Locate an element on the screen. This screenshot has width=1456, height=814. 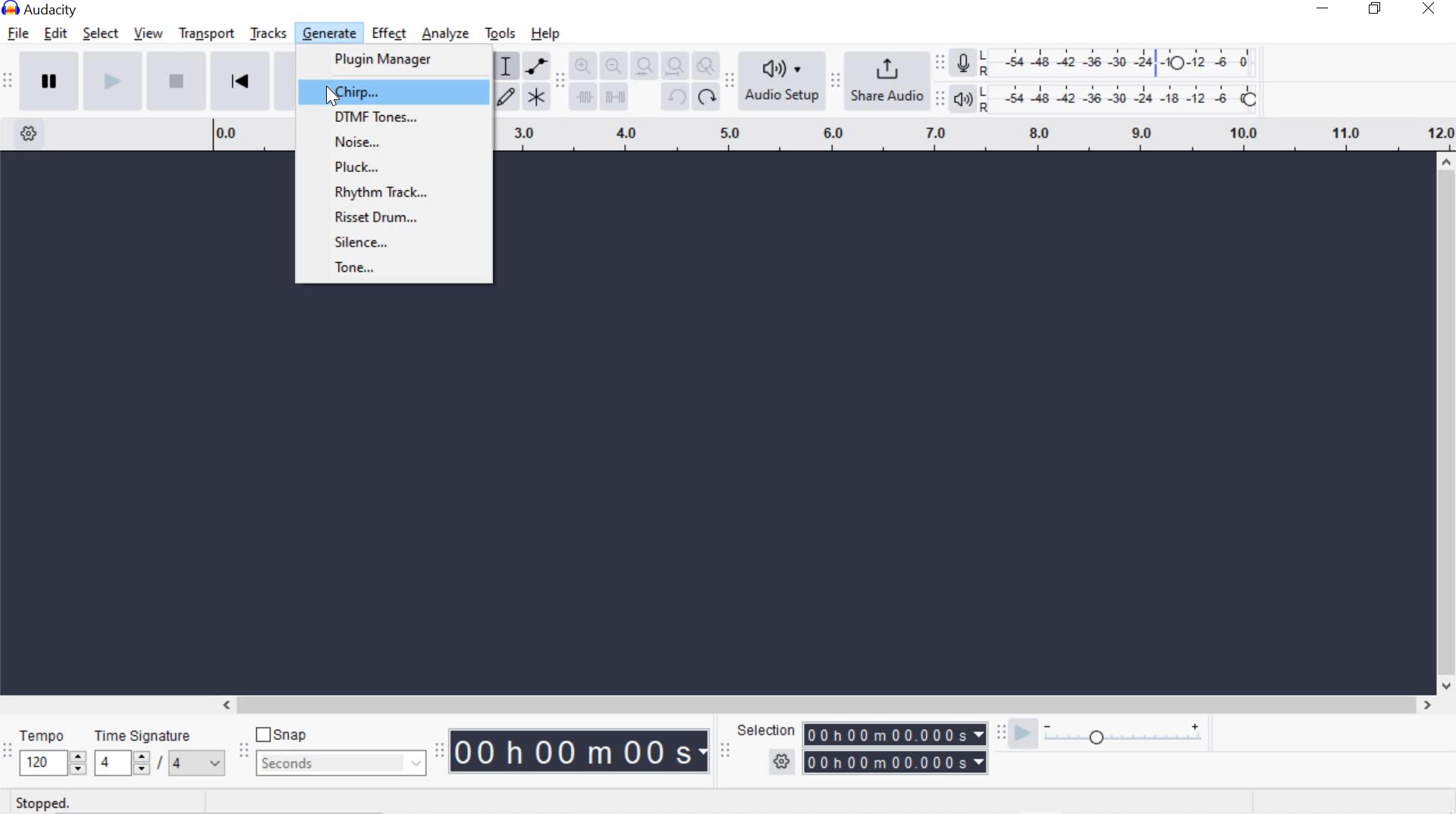
analyze is located at coordinates (445, 35).